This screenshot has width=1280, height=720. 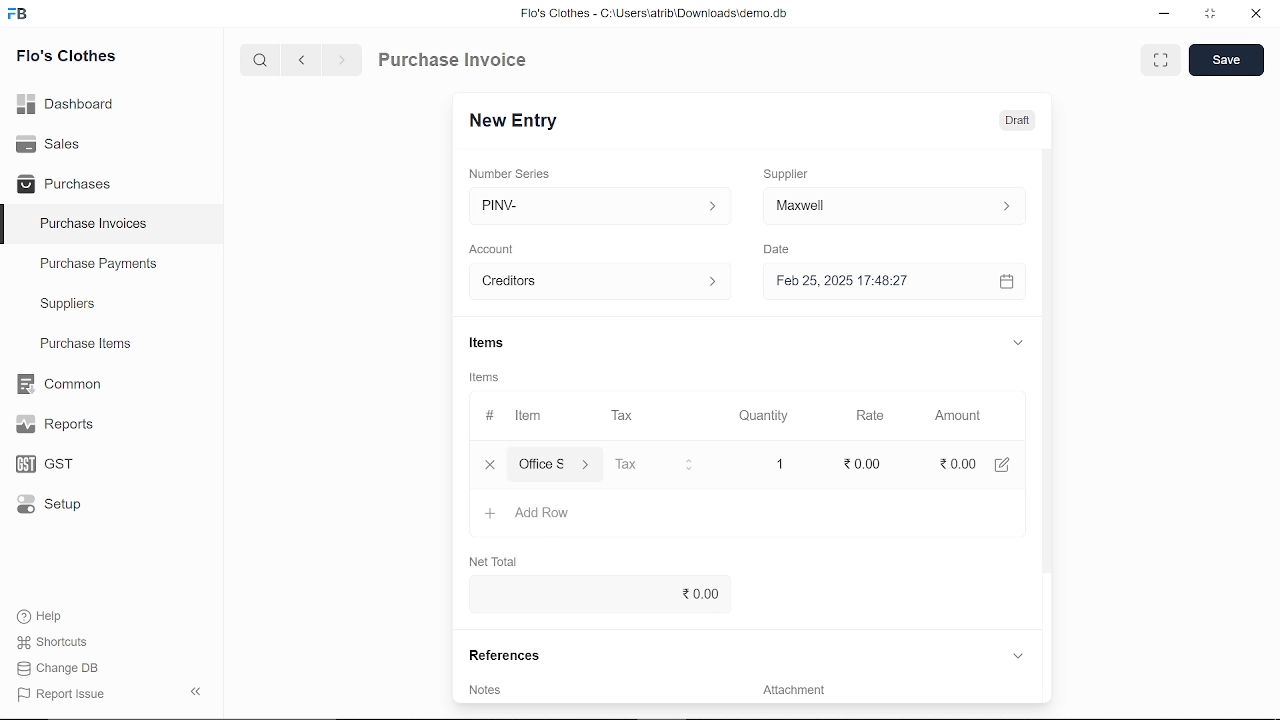 I want to click on Net Total, so click(x=500, y=560).